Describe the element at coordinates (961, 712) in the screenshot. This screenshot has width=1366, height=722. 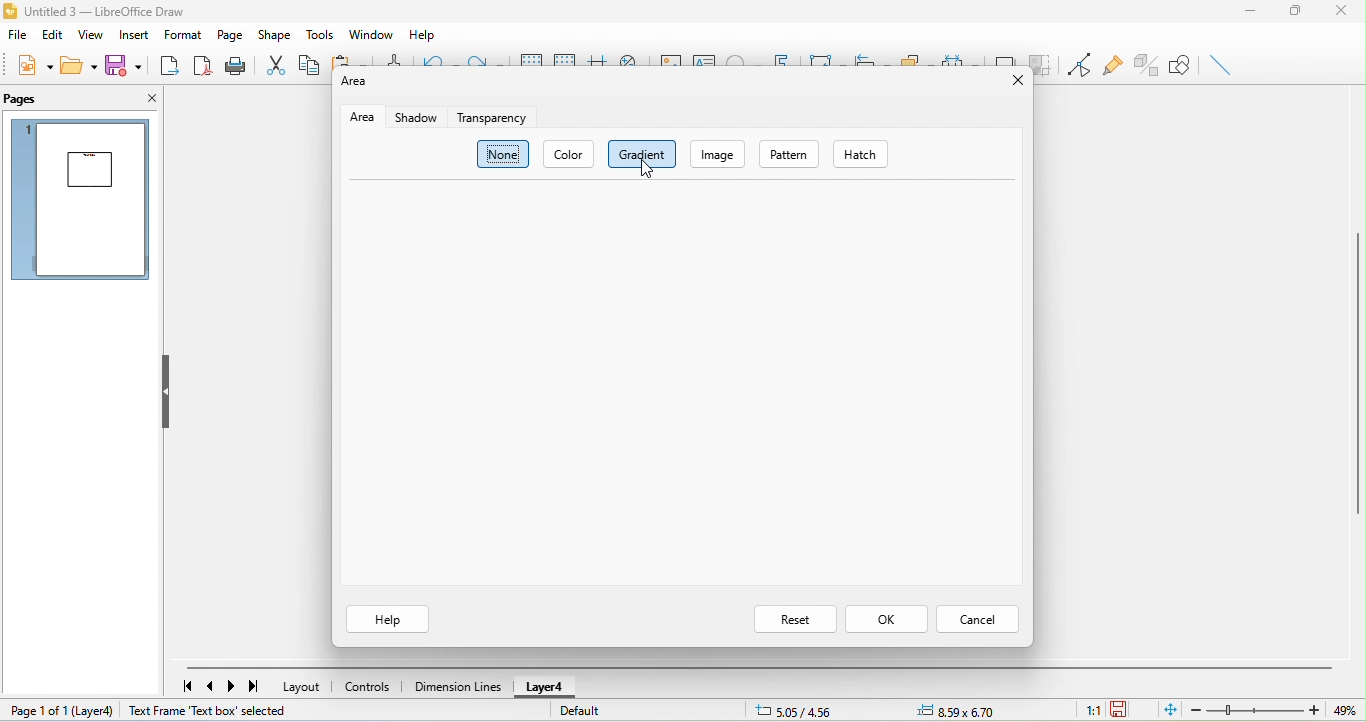
I see `object position-8.59x6.70` at that location.